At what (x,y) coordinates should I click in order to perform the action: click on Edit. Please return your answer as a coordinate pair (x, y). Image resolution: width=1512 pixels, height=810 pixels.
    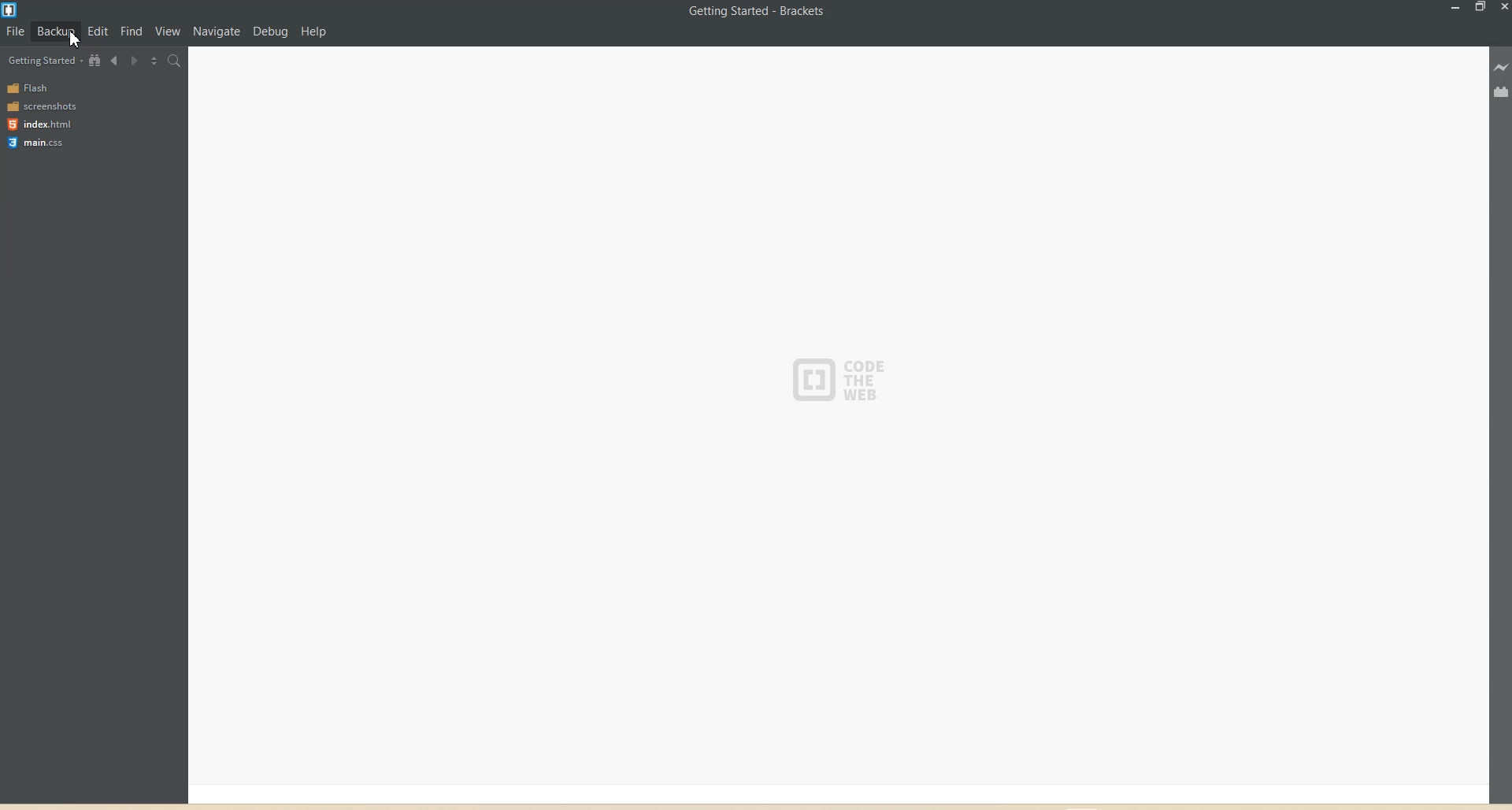
    Looking at the image, I should click on (102, 28).